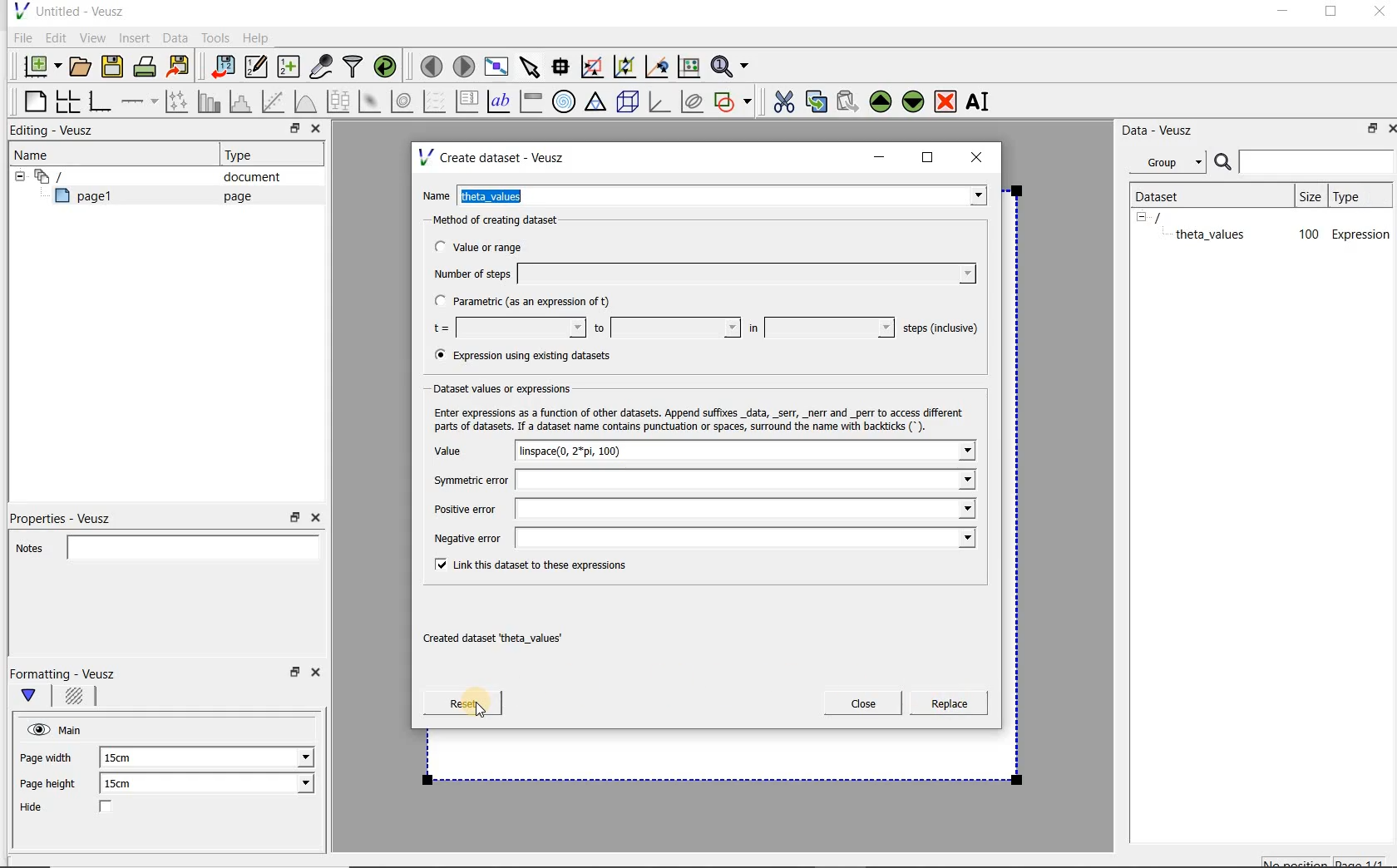  Describe the element at coordinates (1166, 195) in the screenshot. I see `Dataset` at that location.